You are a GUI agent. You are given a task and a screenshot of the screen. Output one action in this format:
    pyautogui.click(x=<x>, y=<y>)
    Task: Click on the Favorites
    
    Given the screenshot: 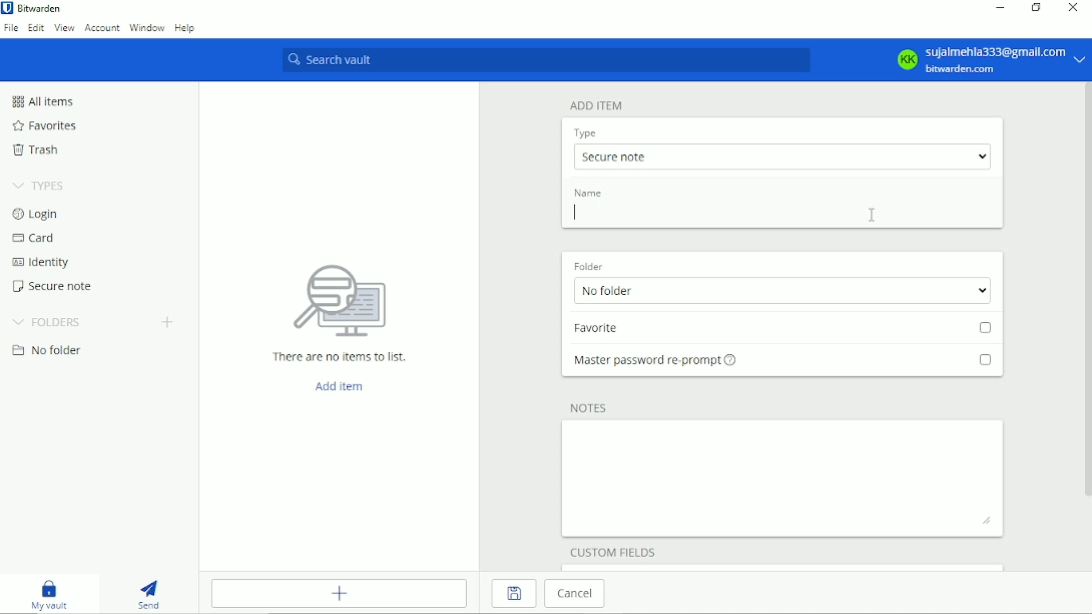 What is the action you would take?
    pyautogui.click(x=44, y=126)
    